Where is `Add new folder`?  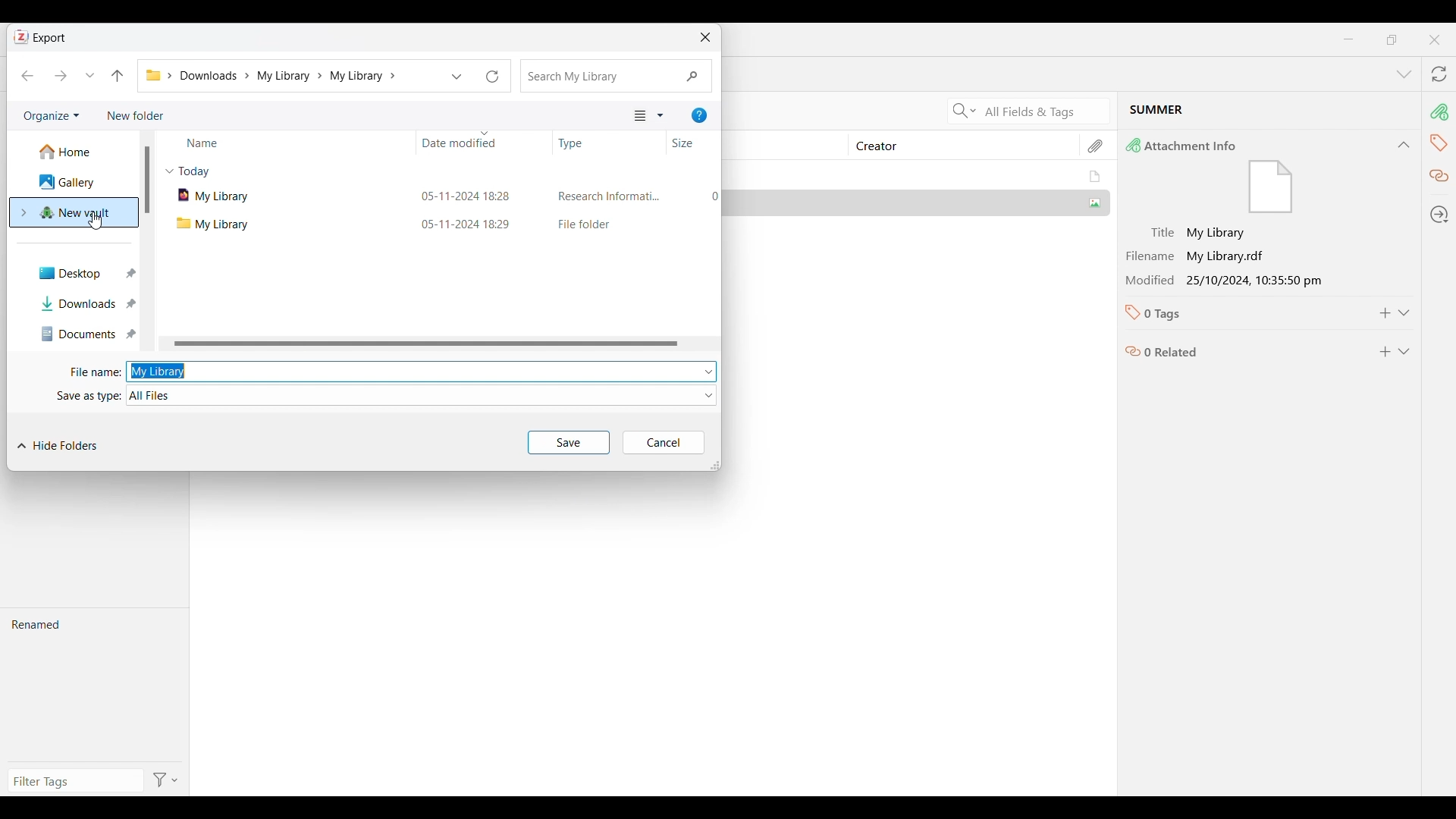
Add new folder is located at coordinates (136, 116).